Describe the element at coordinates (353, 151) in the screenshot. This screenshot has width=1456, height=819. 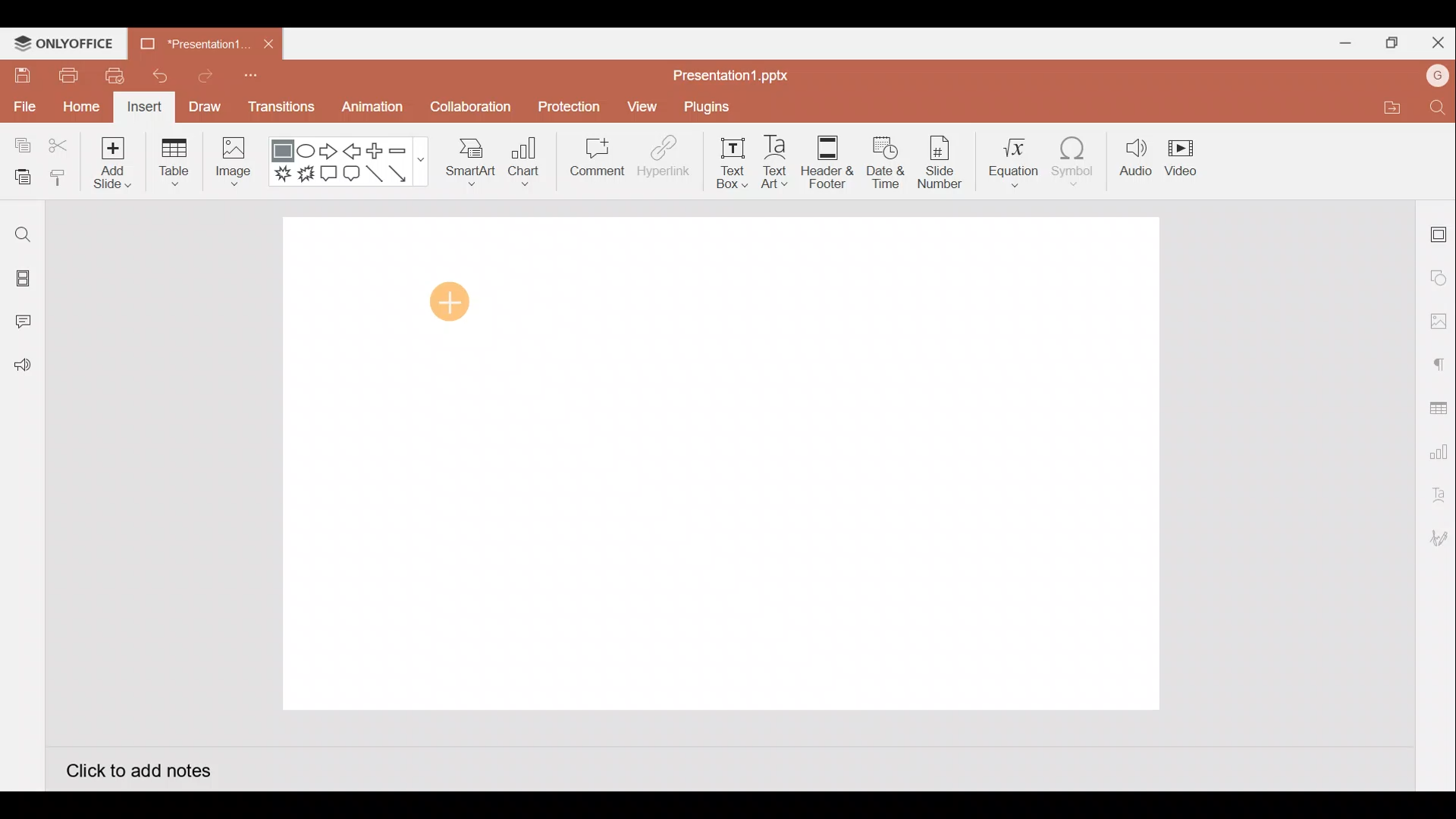
I see `Left arrow` at that location.